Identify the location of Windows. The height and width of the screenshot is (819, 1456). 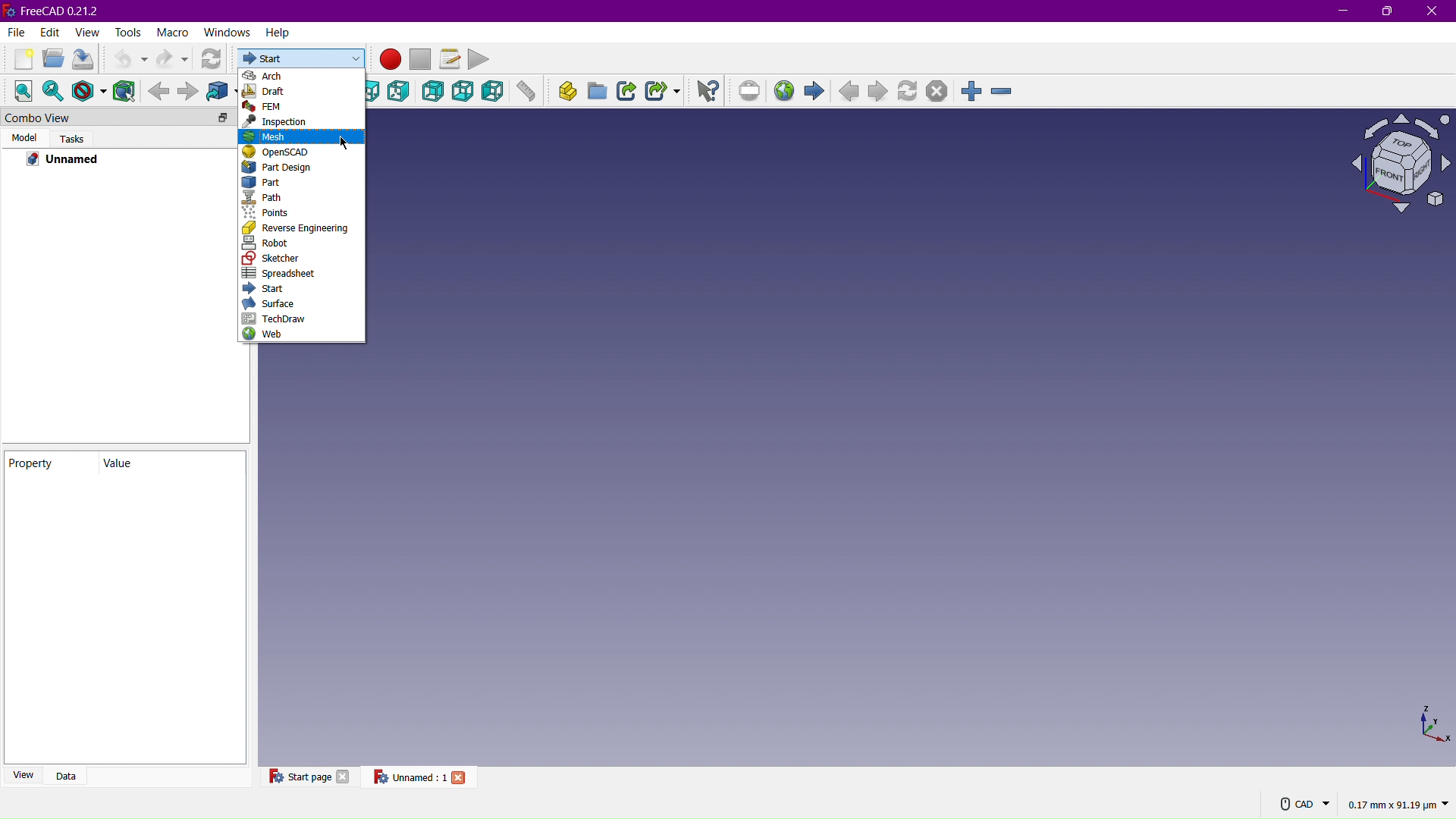
(227, 33).